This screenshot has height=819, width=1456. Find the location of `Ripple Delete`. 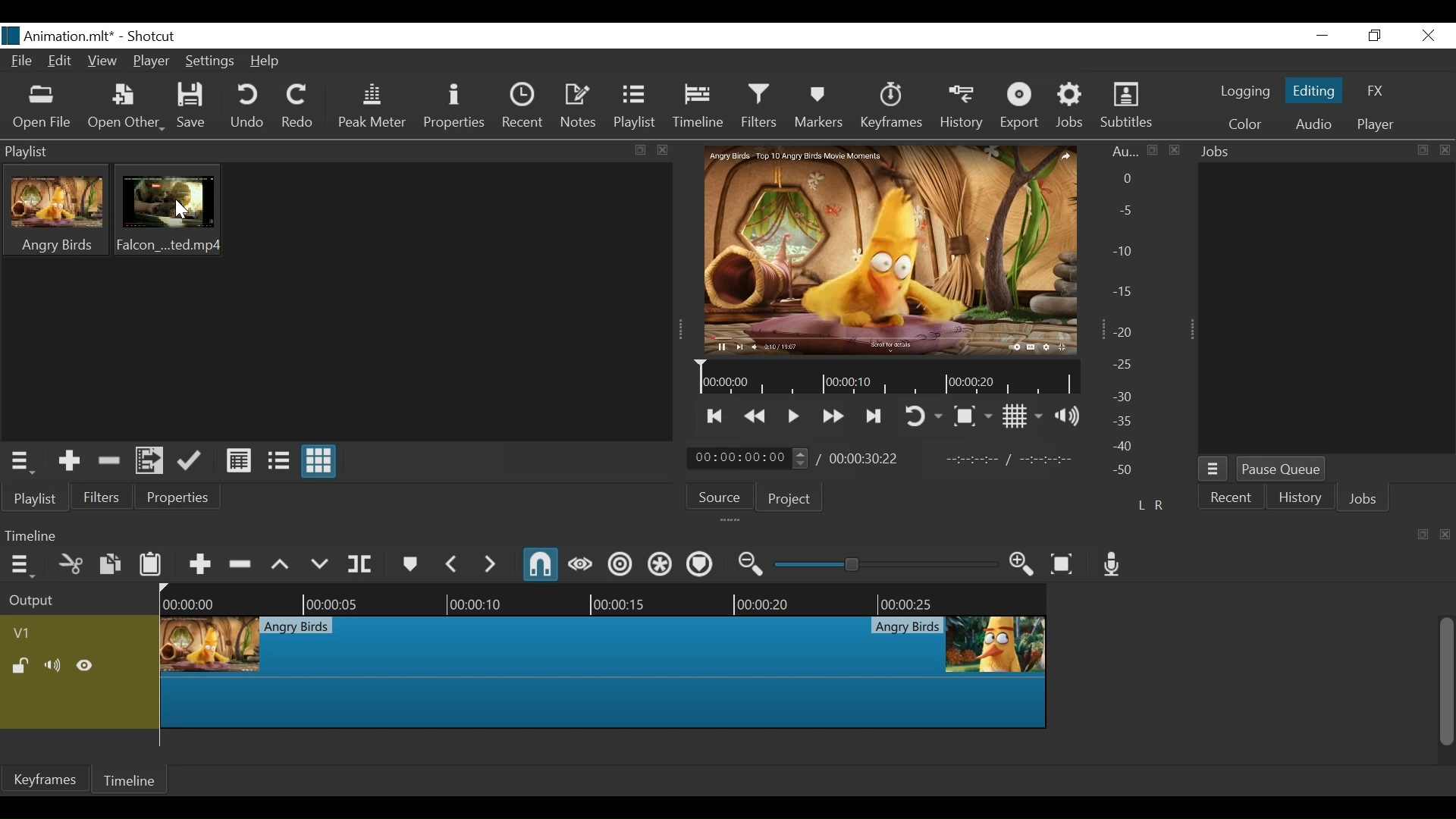

Ripple Delete is located at coordinates (242, 562).